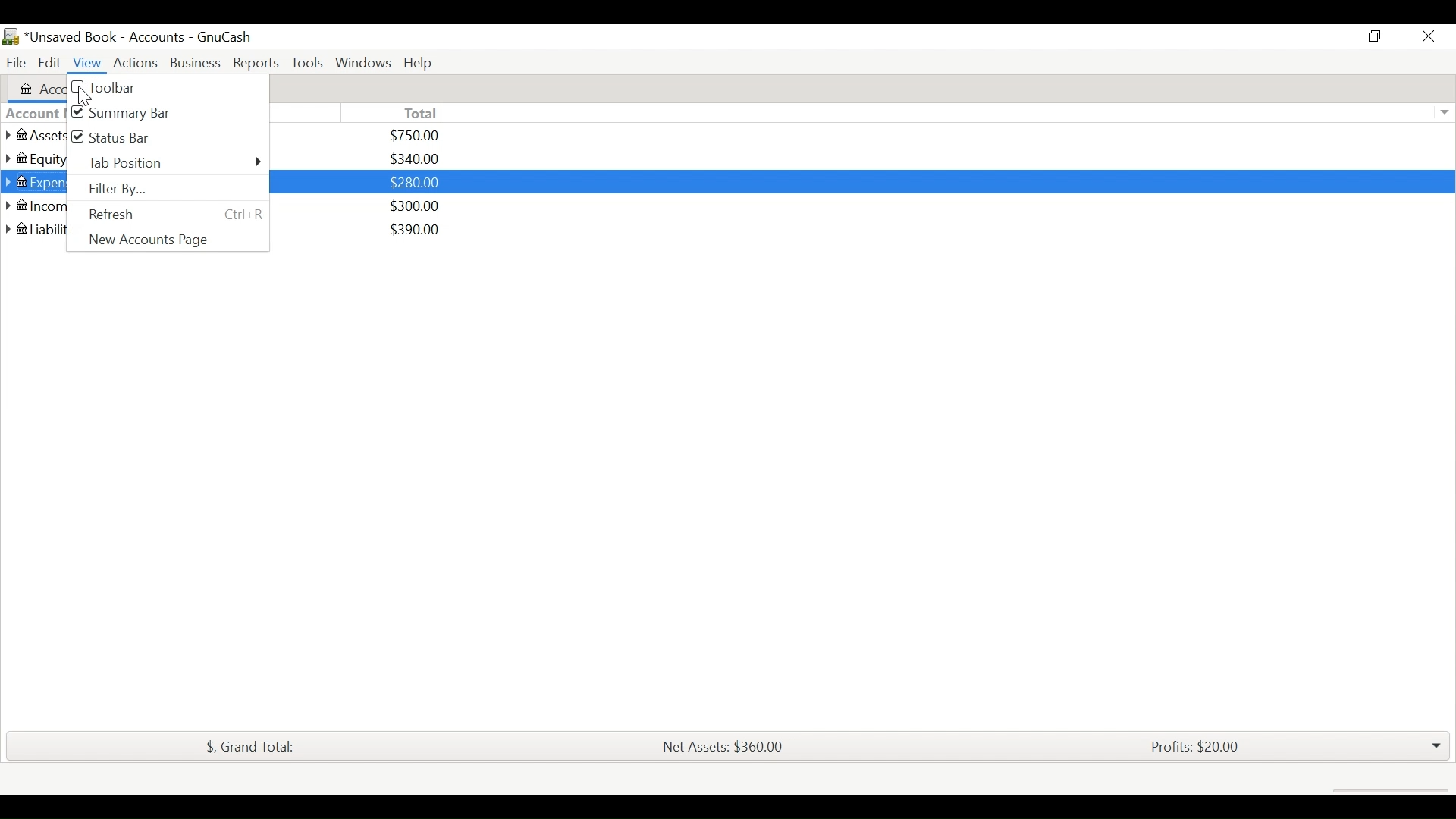  What do you see at coordinates (165, 136) in the screenshot?
I see `(un)select Status Bar` at bounding box center [165, 136].